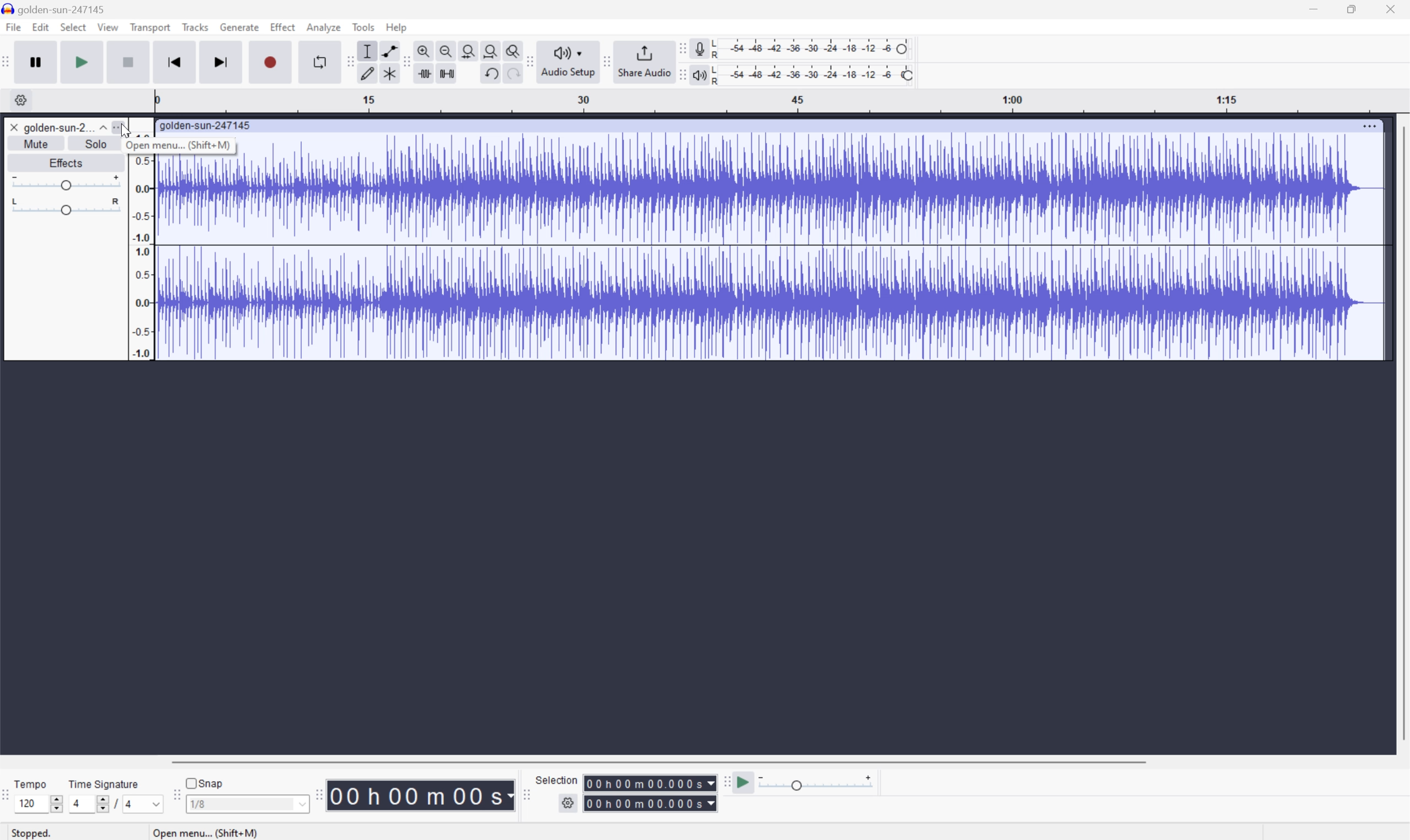 This screenshot has width=1410, height=840. What do you see at coordinates (398, 27) in the screenshot?
I see `Help` at bounding box center [398, 27].